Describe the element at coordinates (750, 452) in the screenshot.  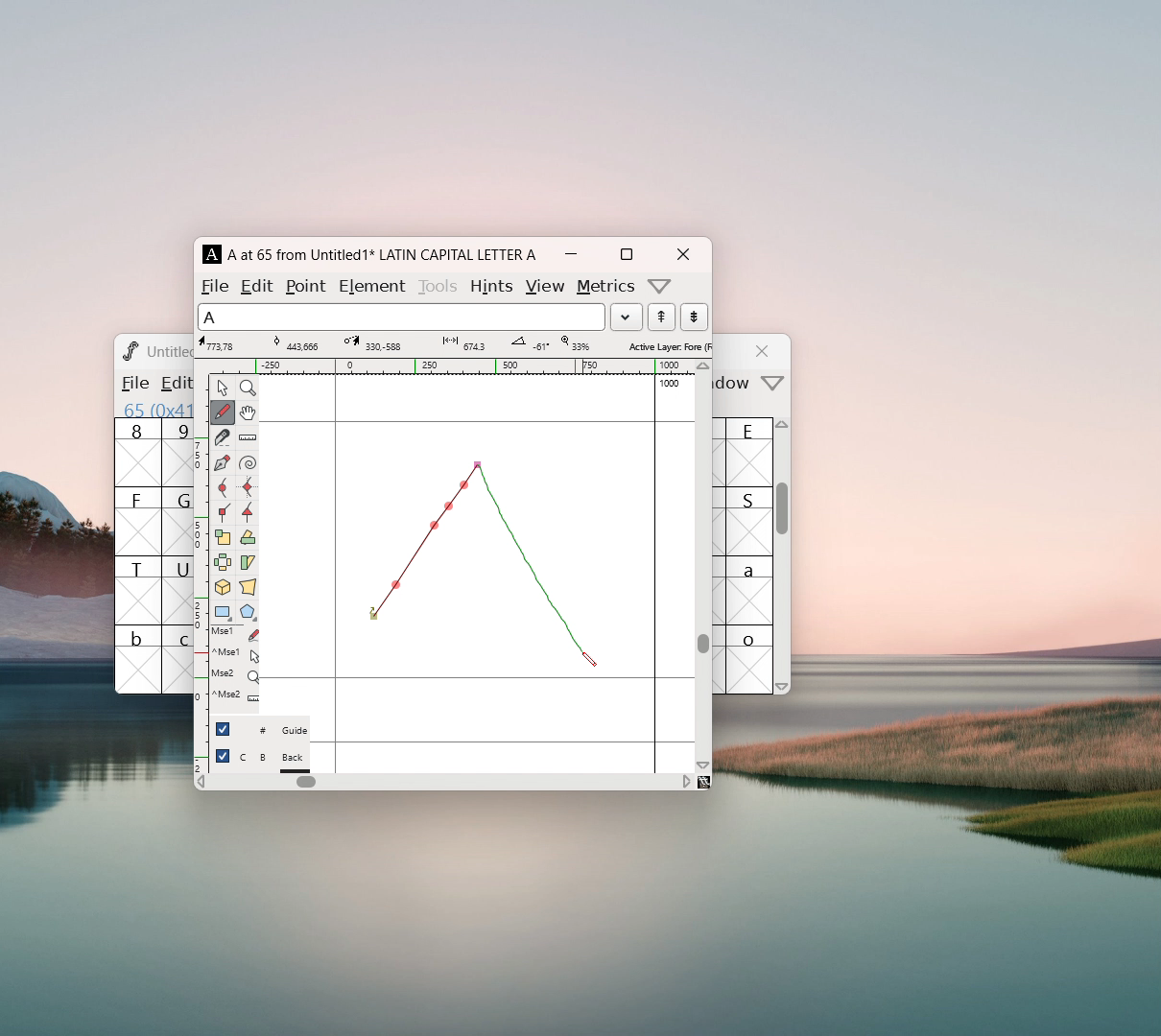
I see `E` at that location.